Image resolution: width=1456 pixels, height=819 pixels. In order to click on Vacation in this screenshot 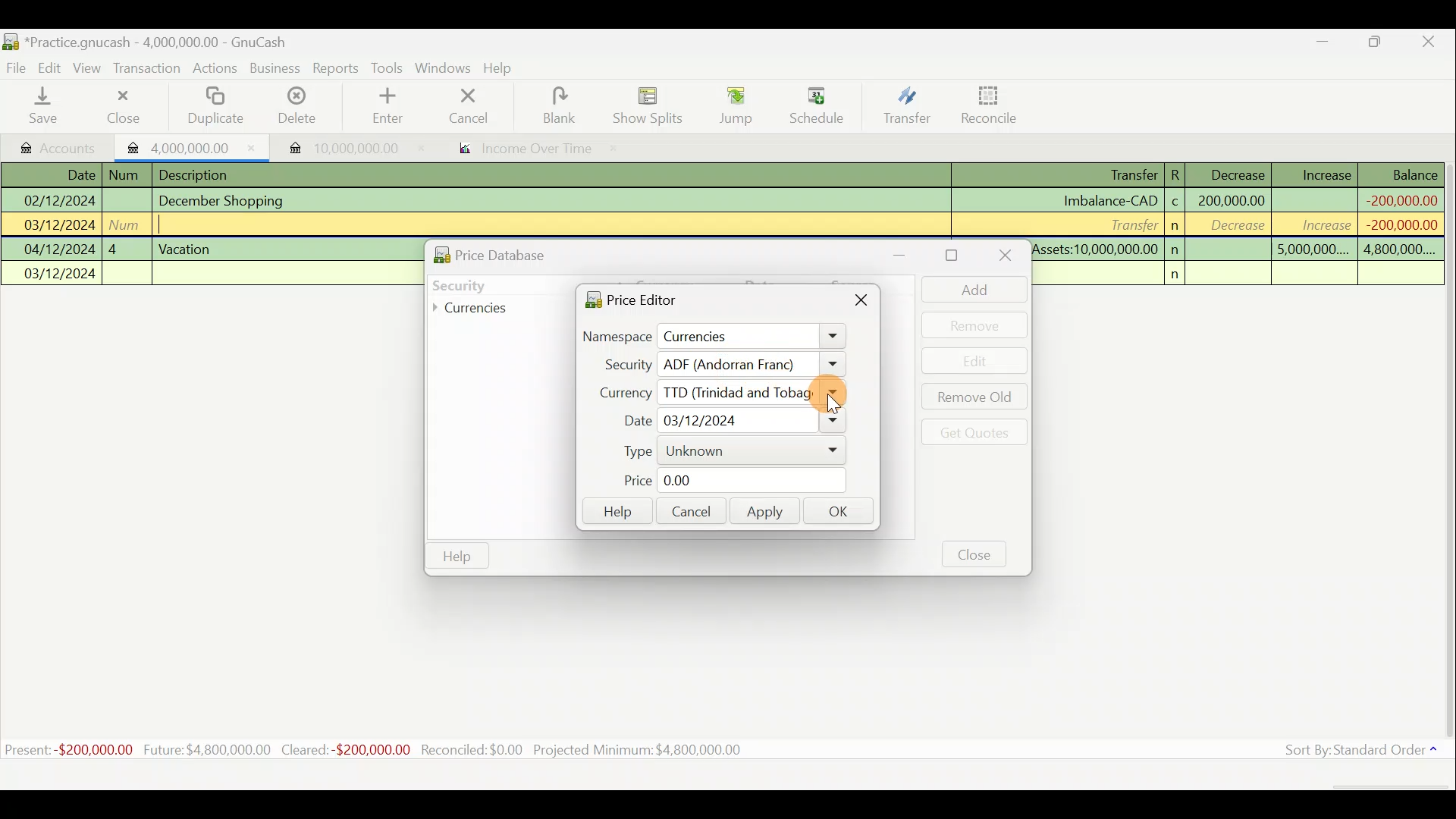, I will do `click(187, 247)`.